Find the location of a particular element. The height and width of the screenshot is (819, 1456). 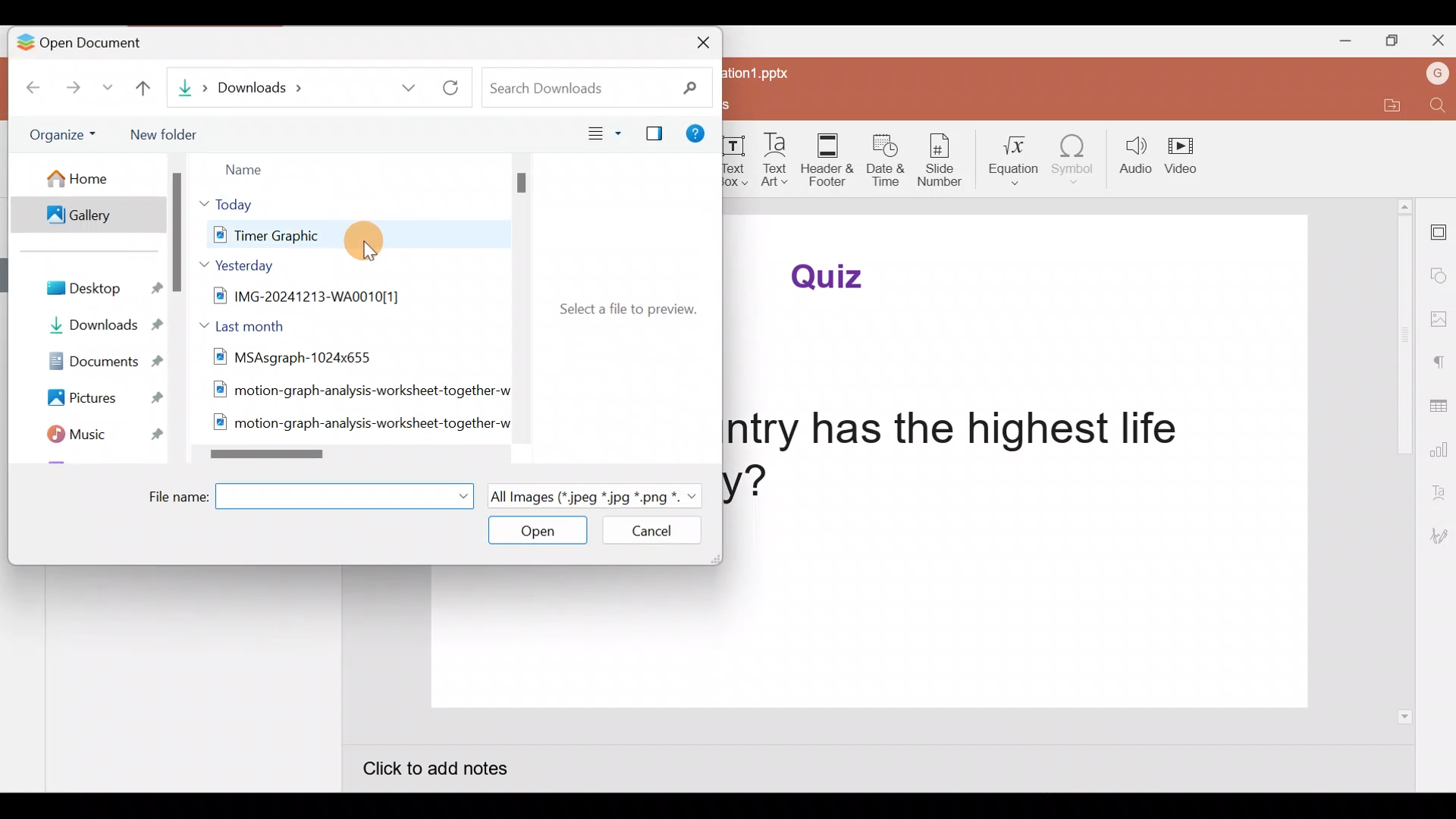

Search downloads is located at coordinates (604, 85).